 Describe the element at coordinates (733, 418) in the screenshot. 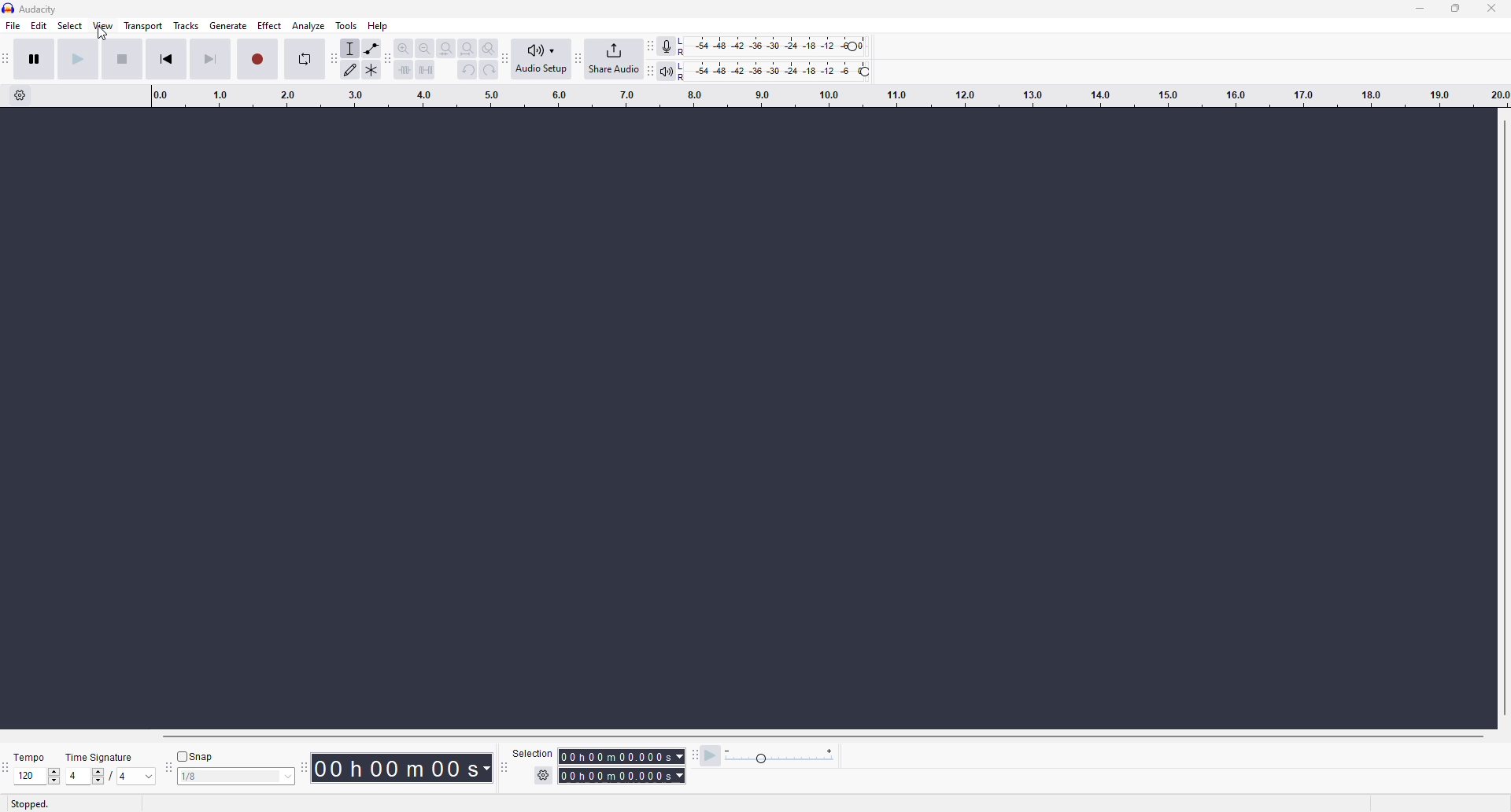

I see `workspace` at that location.